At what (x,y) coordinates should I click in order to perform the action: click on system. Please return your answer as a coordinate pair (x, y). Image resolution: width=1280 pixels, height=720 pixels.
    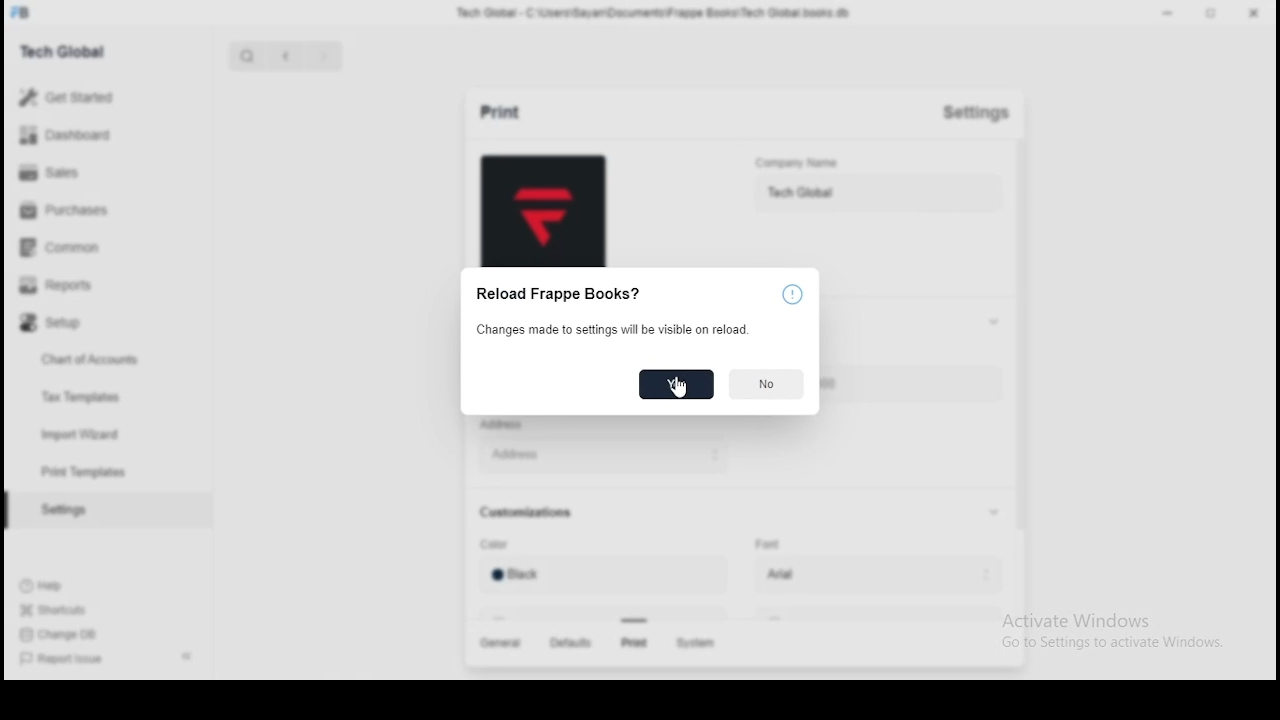
    Looking at the image, I should click on (700, 645).